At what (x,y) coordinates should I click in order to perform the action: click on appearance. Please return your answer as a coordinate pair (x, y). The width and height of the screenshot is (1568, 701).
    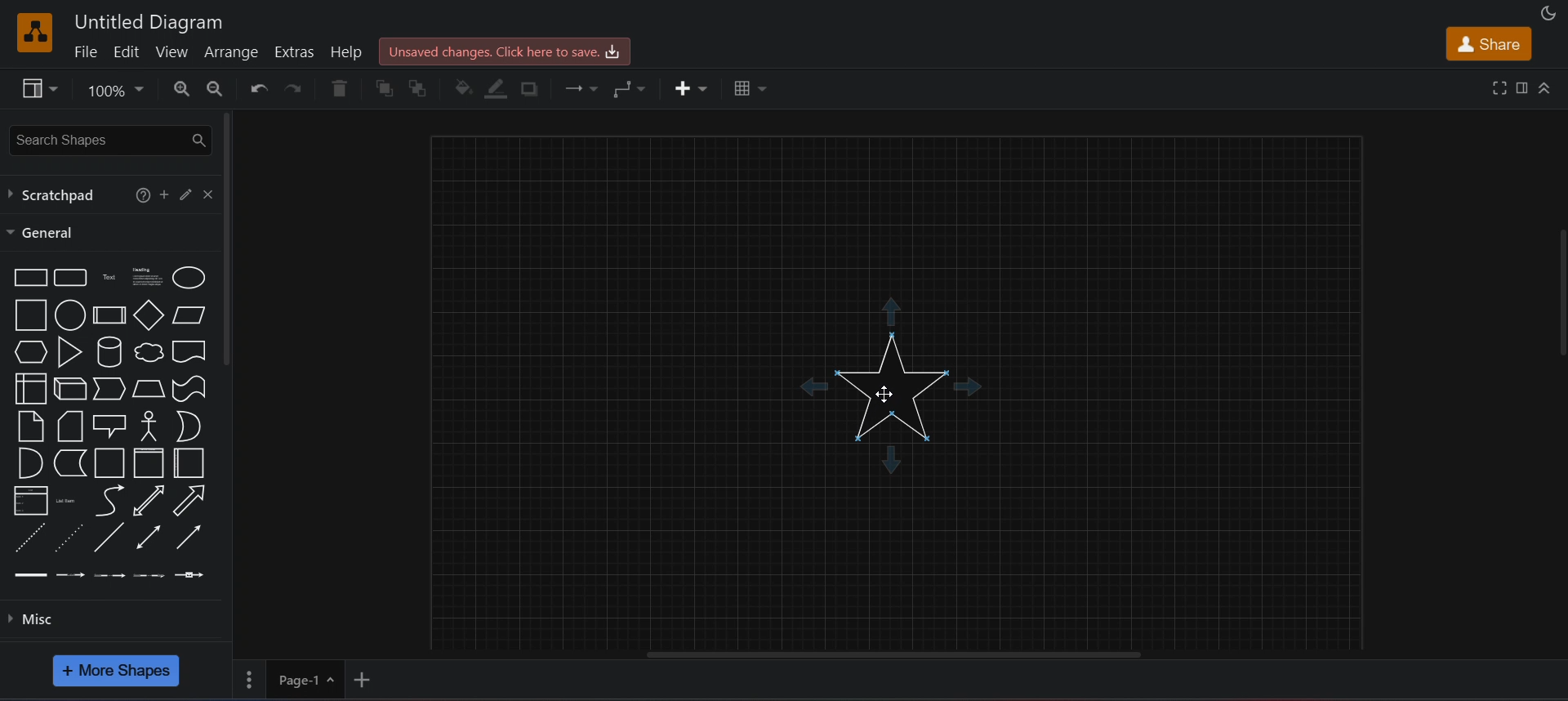
    Looking at the image, I should click on (1550, 12).